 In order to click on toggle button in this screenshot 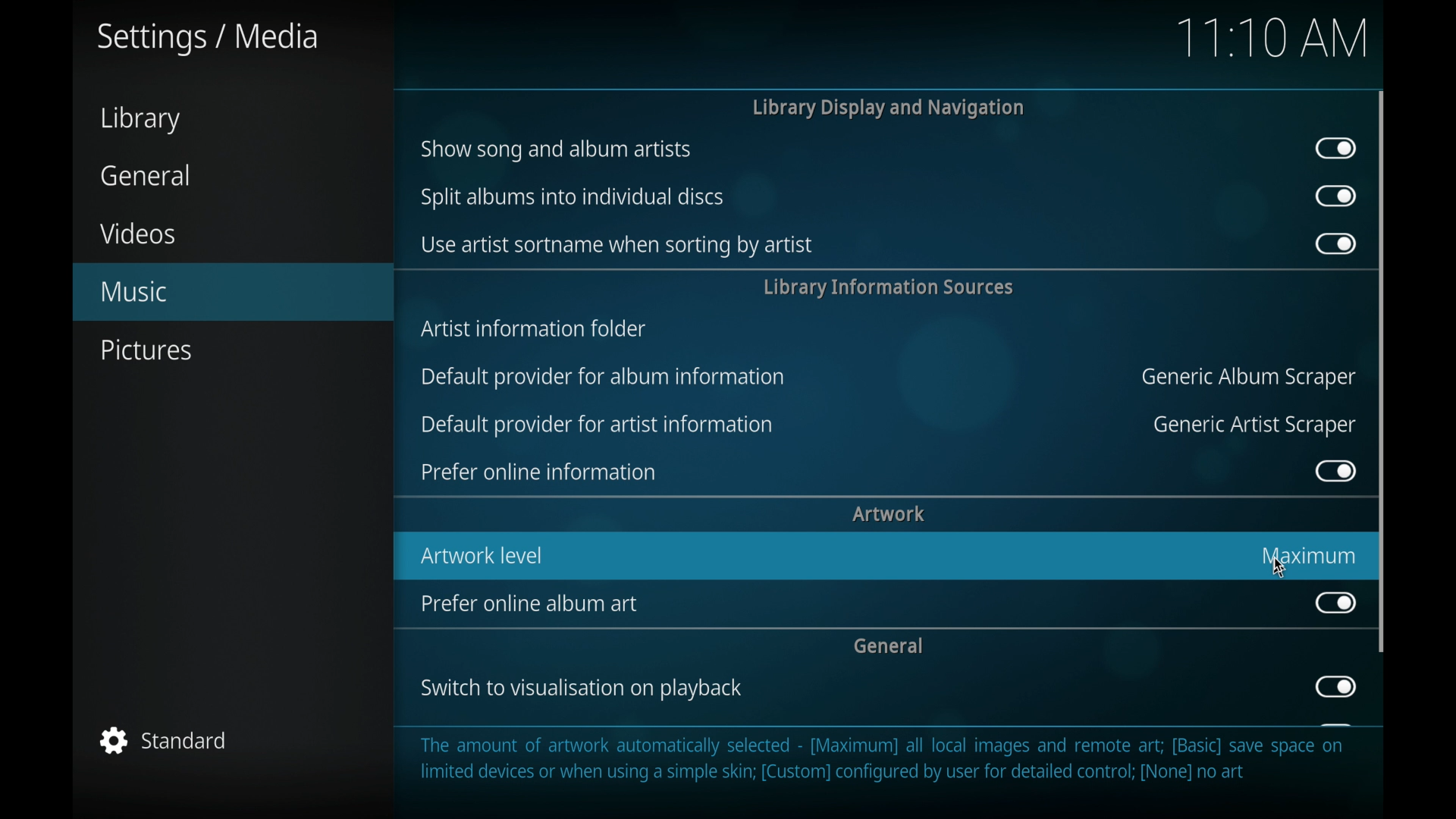, I will do `click(1335, 602)`.